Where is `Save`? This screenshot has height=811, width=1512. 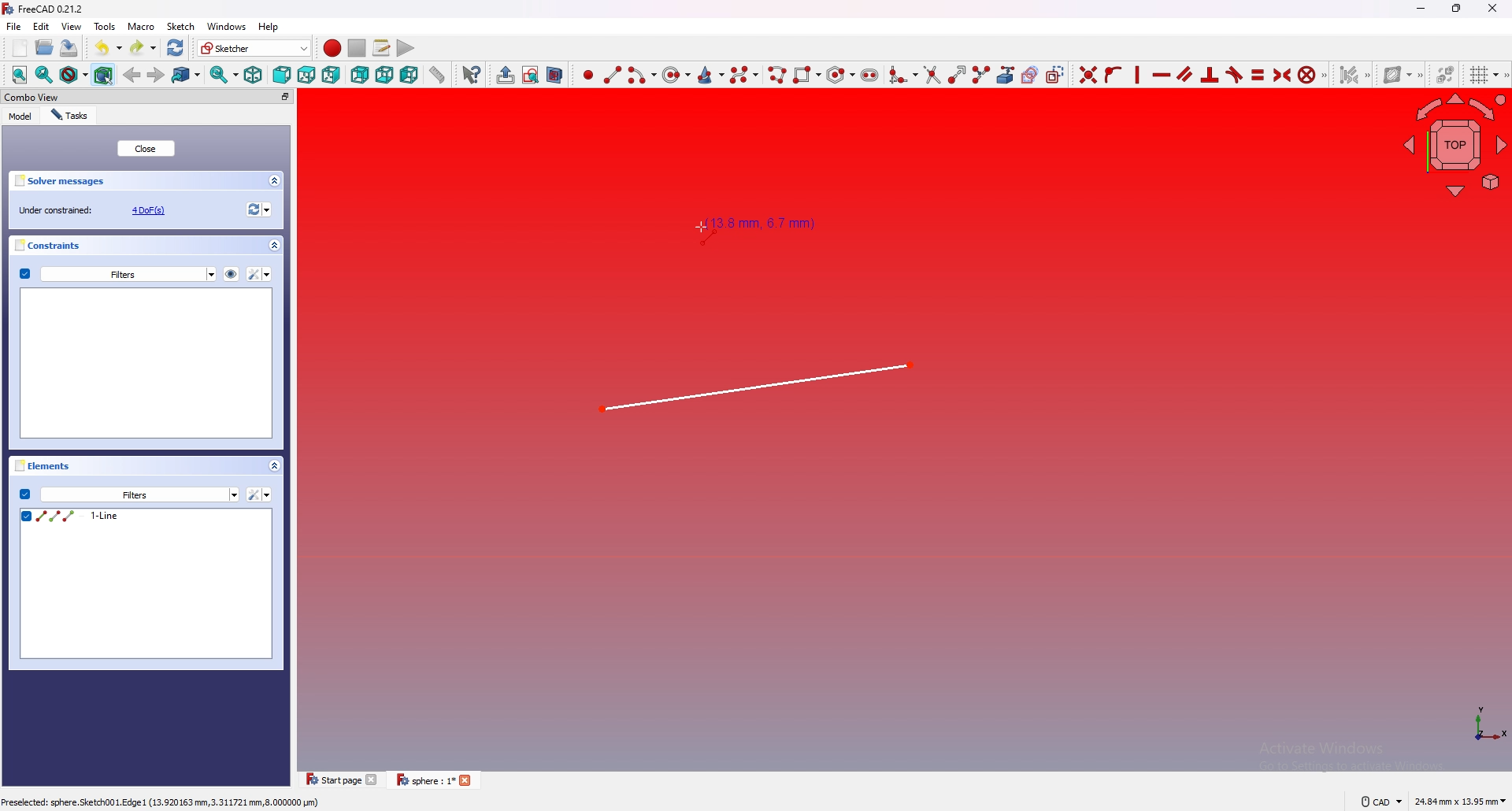
Save is located at coordinates (69, 48).